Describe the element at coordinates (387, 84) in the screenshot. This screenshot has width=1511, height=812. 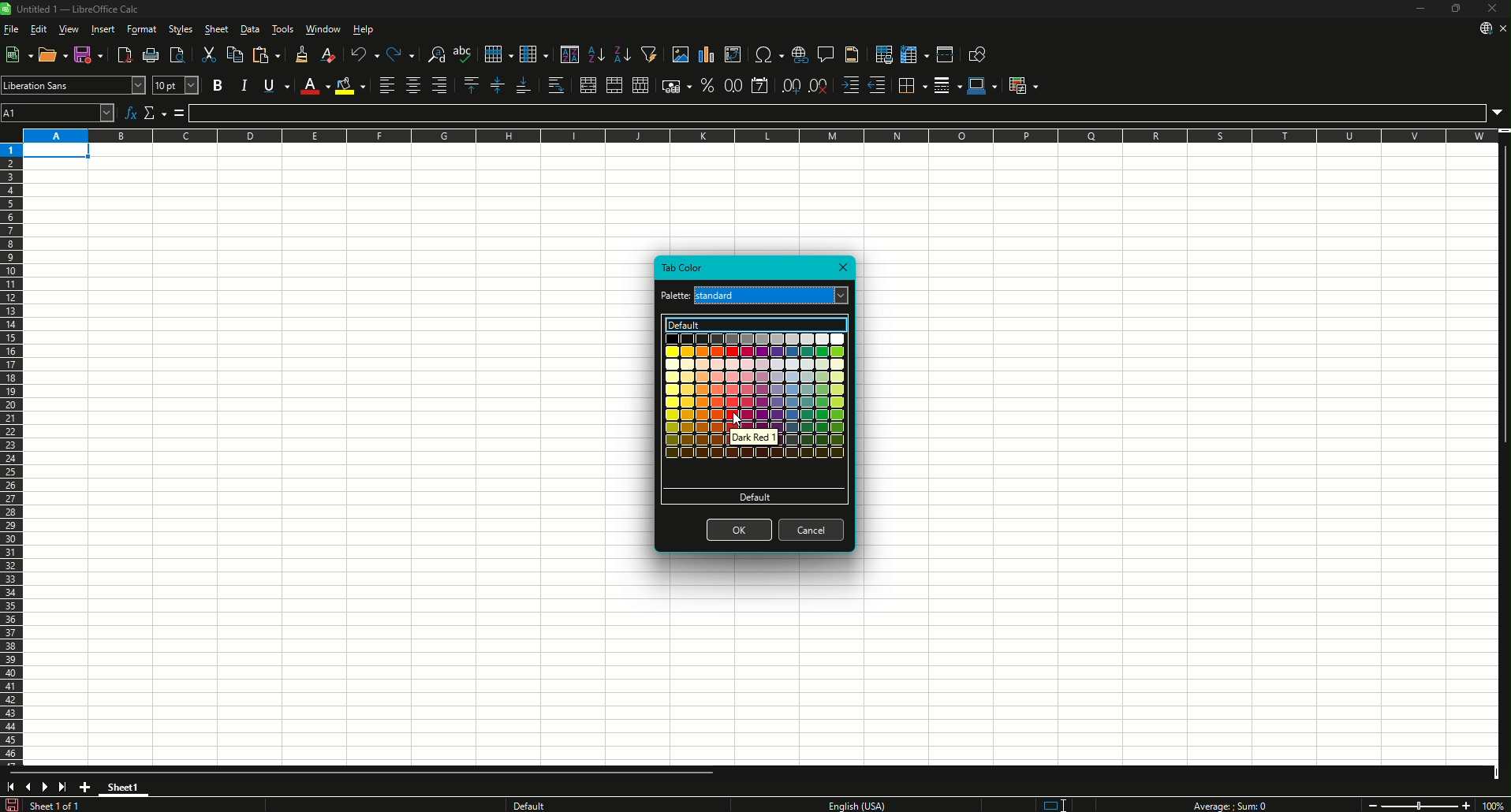
I see `Align Left` at that location.